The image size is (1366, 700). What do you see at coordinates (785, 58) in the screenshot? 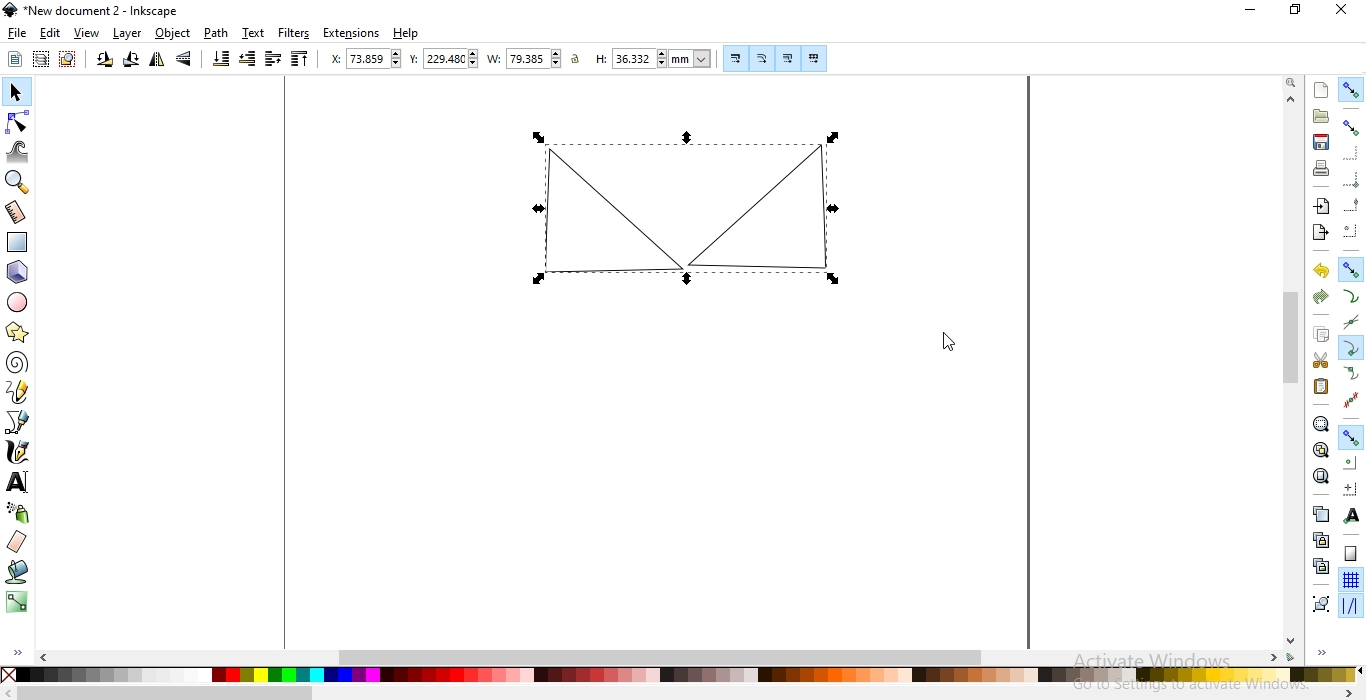
I see `move gradients along with objects` at bounding box center [785, 58].